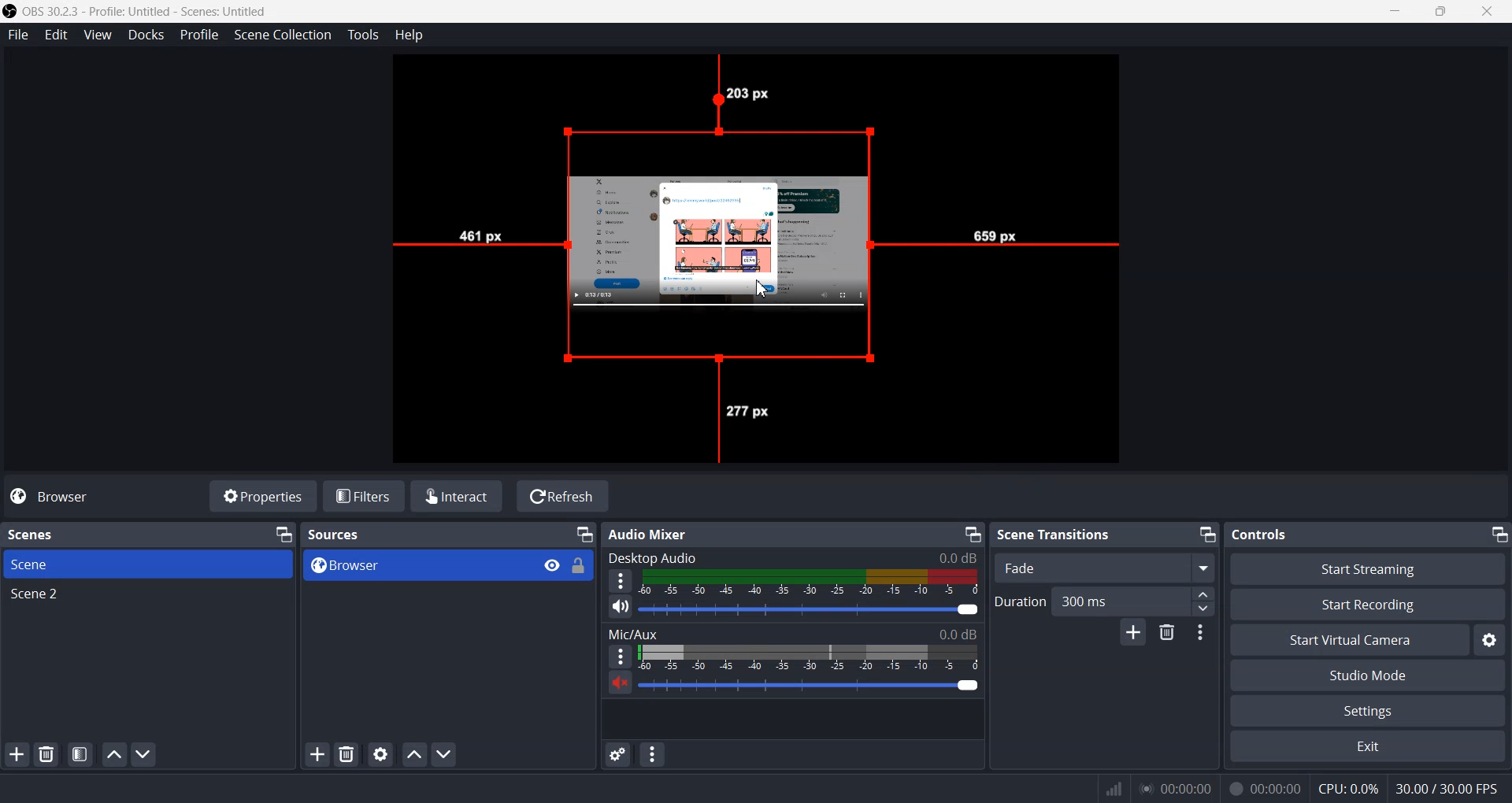  What do you see at coordinates (1201, 567) in the screenshot?
I see `Drop down box` at bounding box center [1201, 567].